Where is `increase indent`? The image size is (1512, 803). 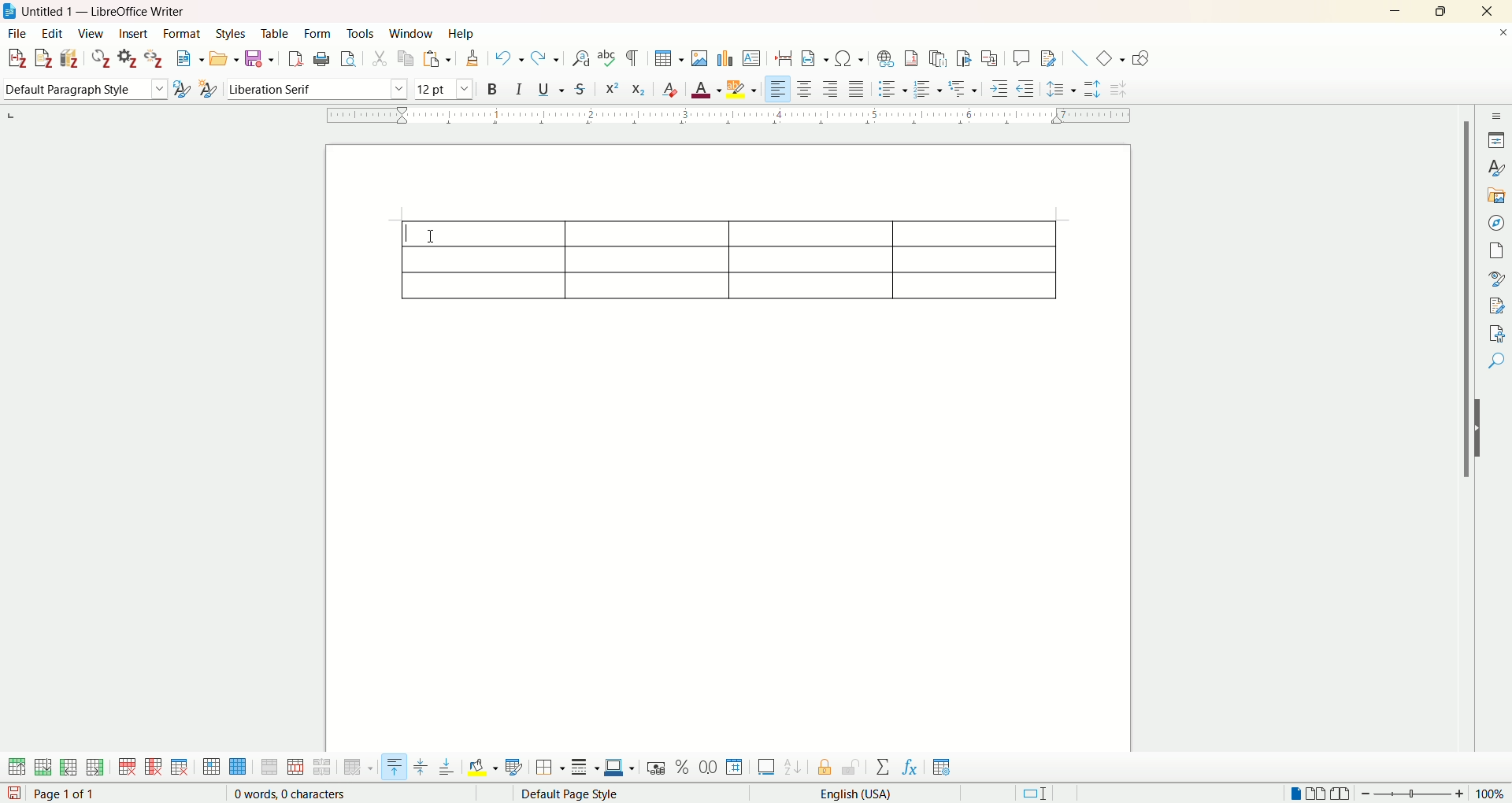 increase indent is located at coordinates (999, 89).